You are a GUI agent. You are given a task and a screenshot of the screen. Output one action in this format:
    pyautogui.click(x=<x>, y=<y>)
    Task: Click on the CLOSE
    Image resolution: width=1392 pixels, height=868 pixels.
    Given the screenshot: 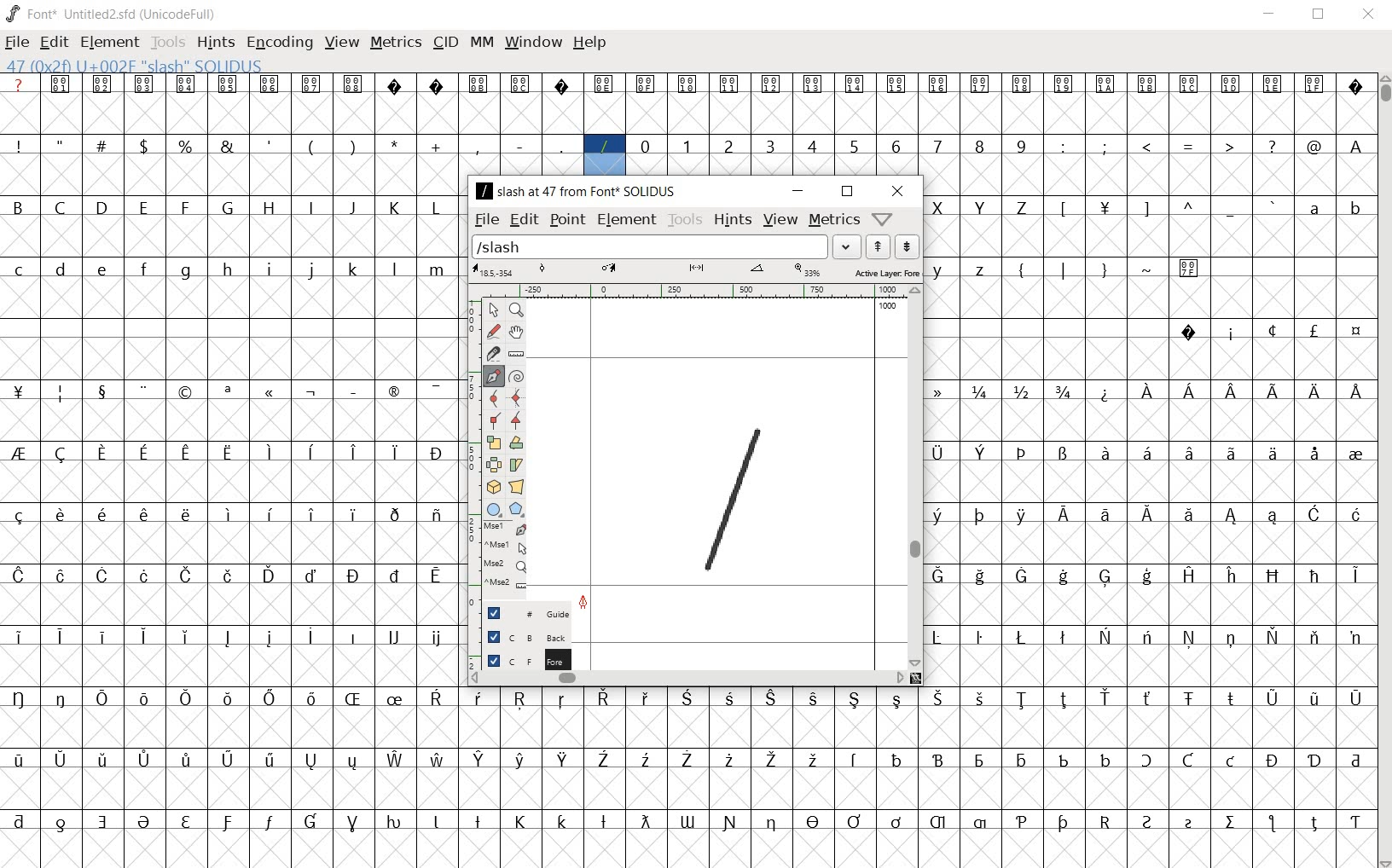 What is the action you would take?
    pyautogui.click(x=1367, y=14)
    